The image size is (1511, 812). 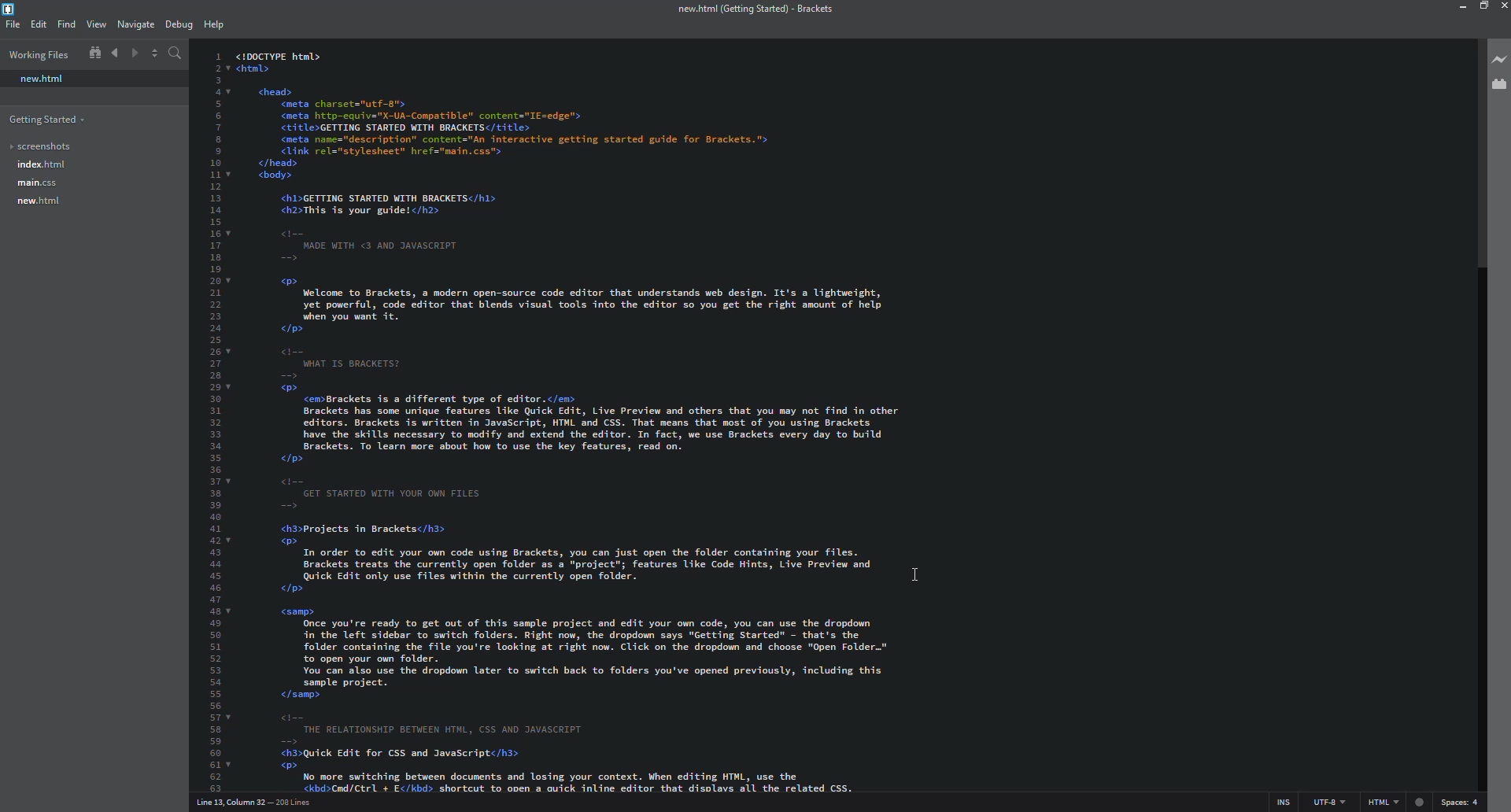 I want to click on new, so click(x=41, y=79).